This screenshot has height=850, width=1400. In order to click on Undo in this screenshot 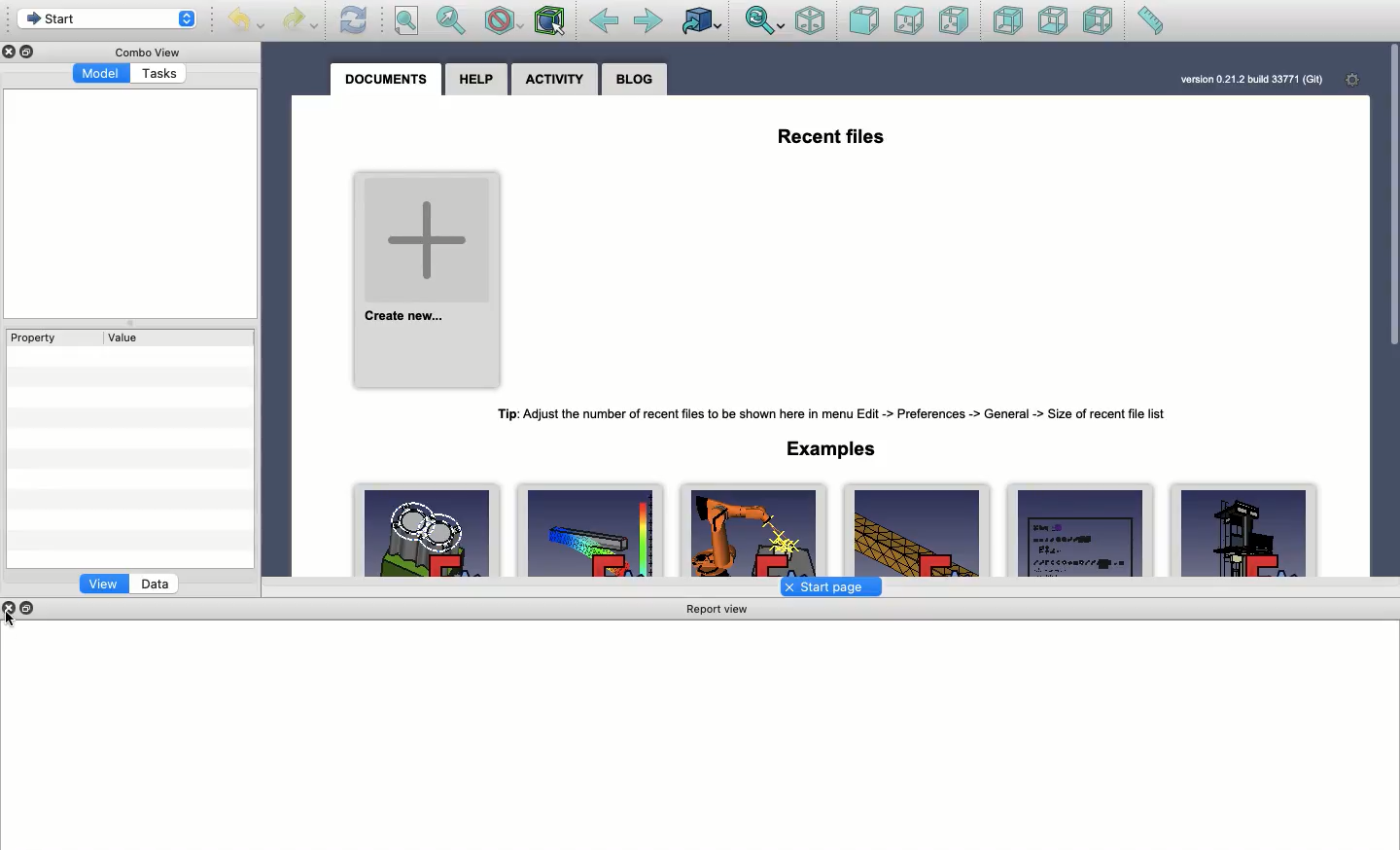, I will do `click(243, 21)`.